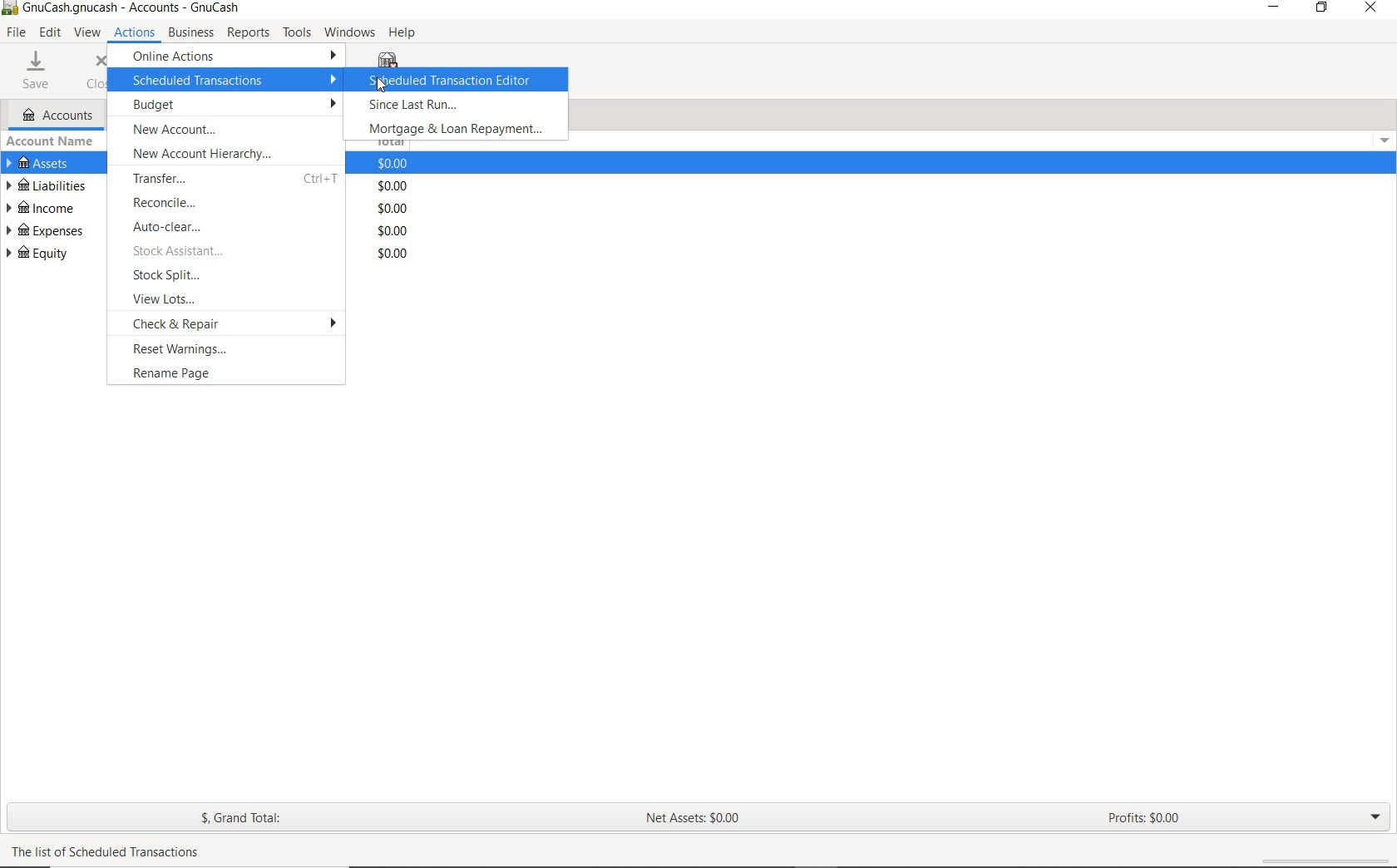  What do you see at coordinates (381, 86) in the screenshot?
I see `cursor` at bounding box center [381, 86].